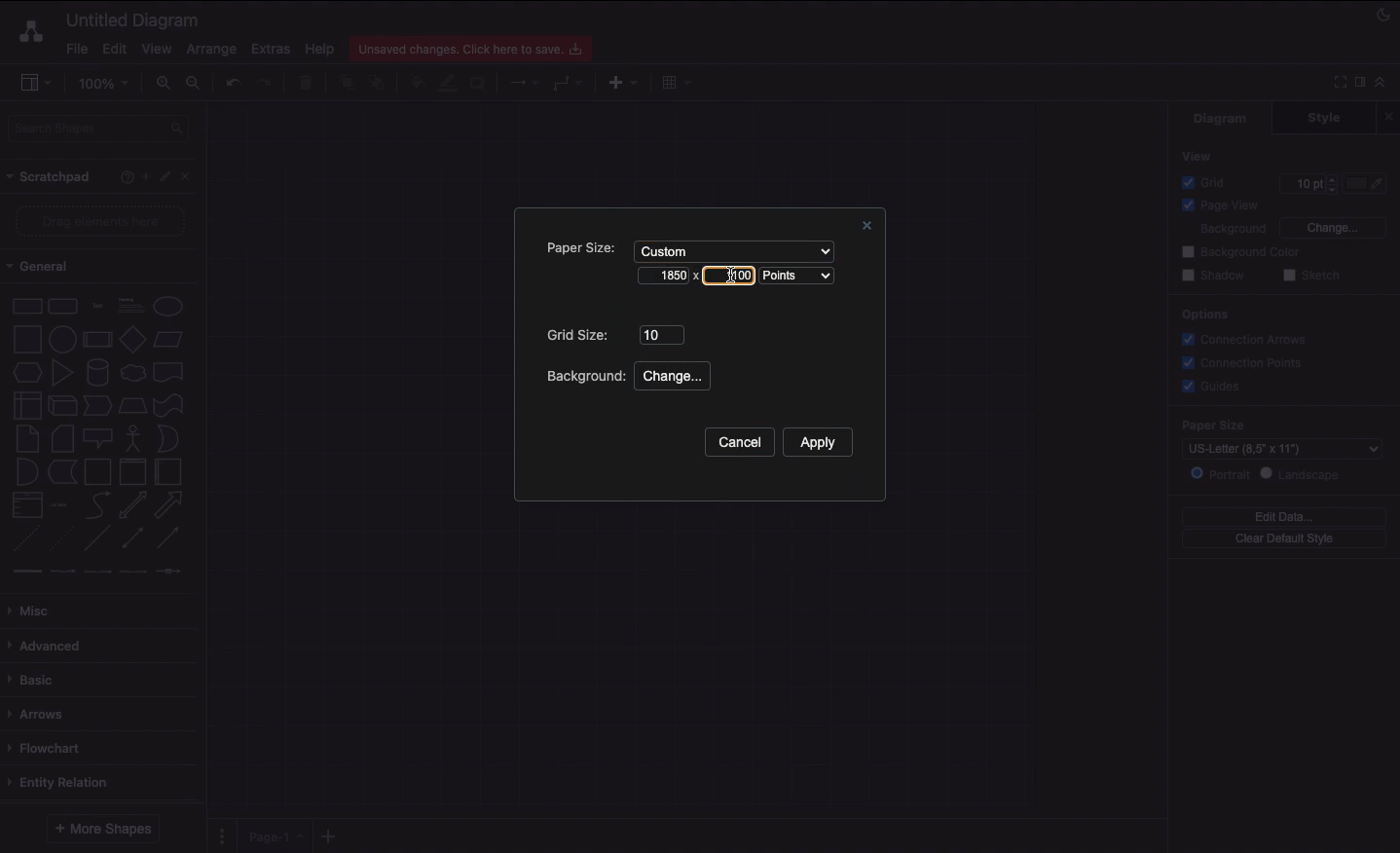  I want to click on Connection points, so click(1243, 362).